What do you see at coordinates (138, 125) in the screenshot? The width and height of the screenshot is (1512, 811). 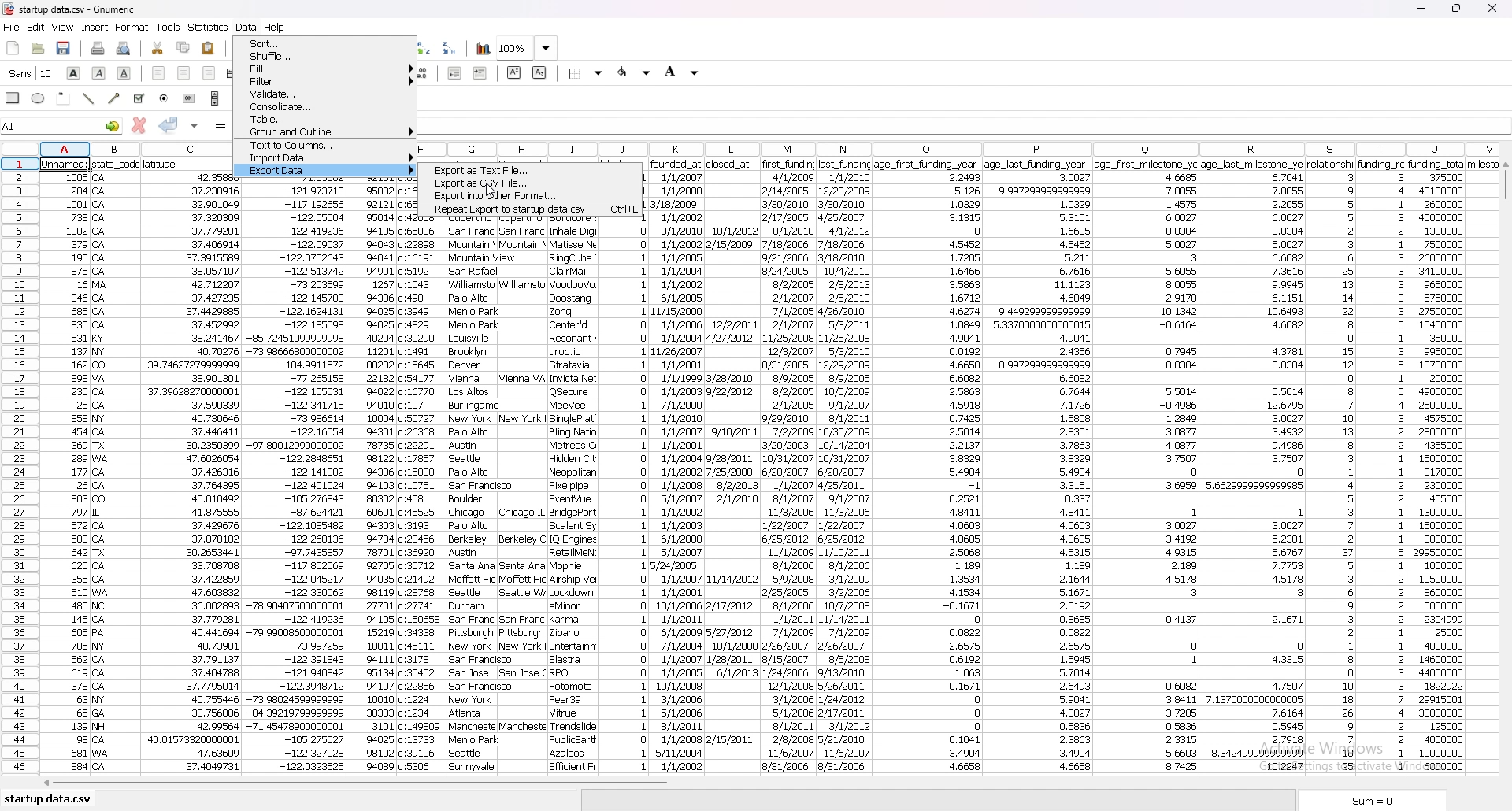 I see `cancel changes` at bounding box center [138, 125].